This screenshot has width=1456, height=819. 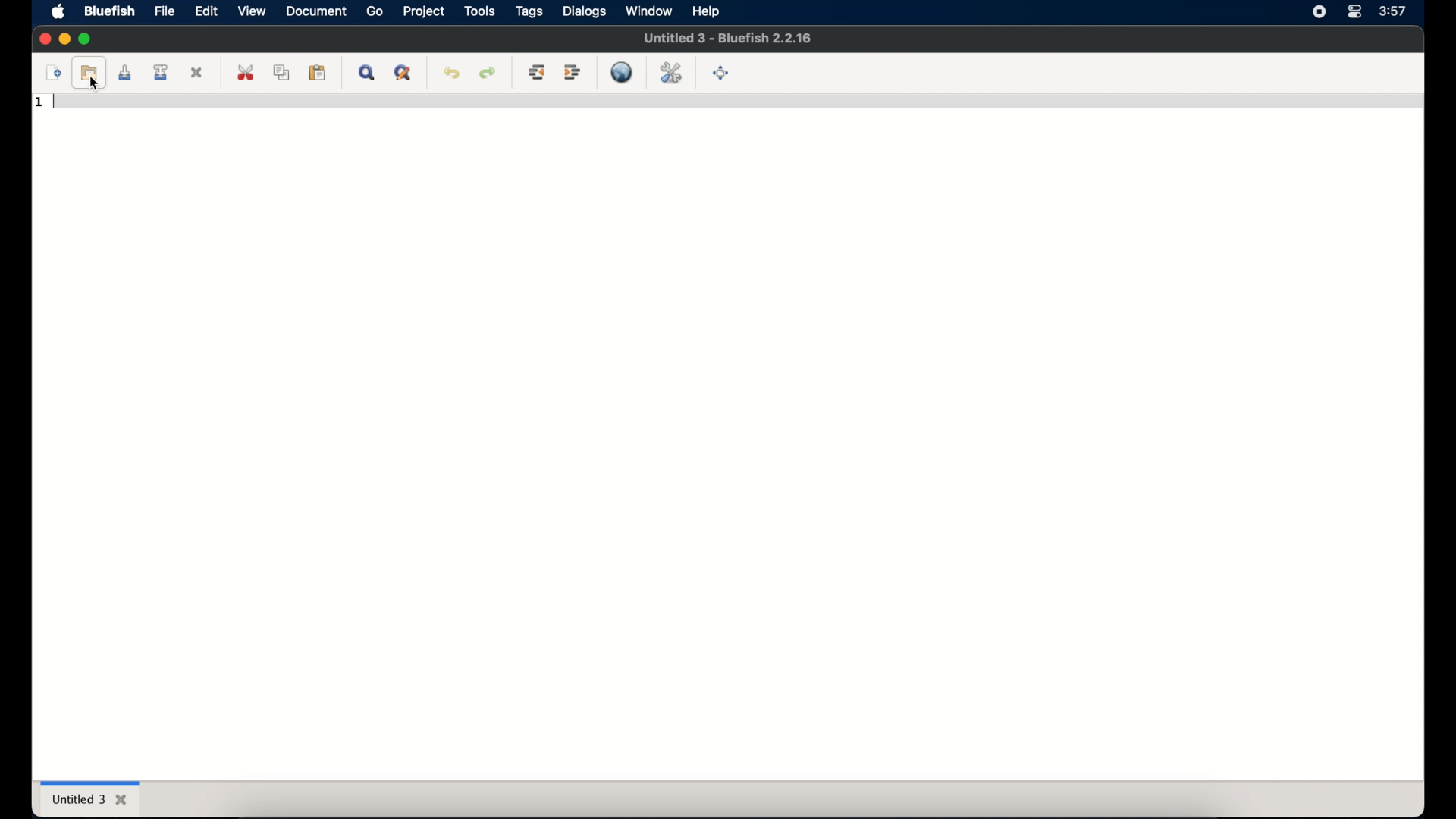 What do you see at coordinates (451, 74) in the screenshot?
I see `undo ` at bounding box center [451, 74].